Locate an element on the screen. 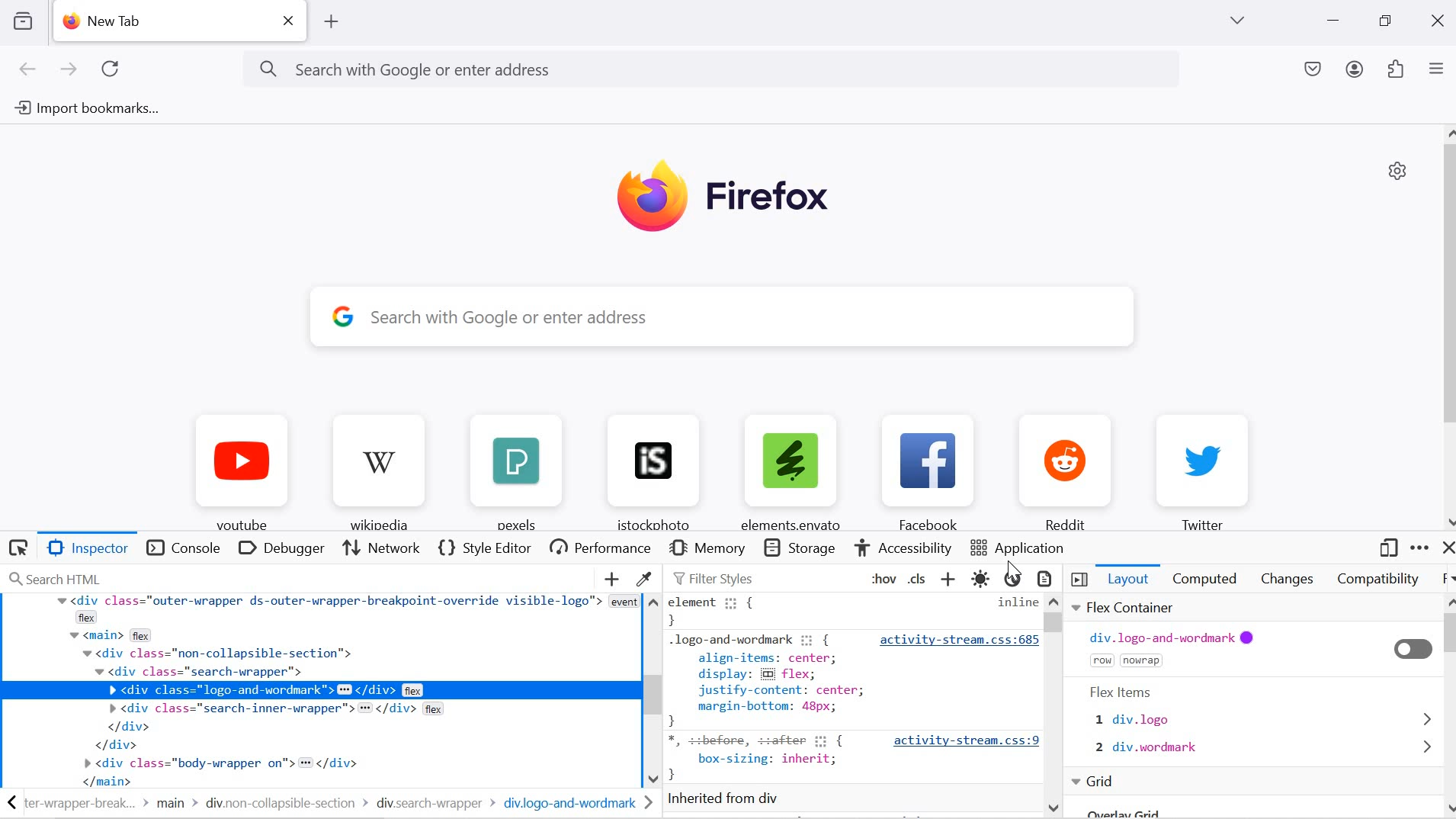  move up is located at coordinates (653, 602).